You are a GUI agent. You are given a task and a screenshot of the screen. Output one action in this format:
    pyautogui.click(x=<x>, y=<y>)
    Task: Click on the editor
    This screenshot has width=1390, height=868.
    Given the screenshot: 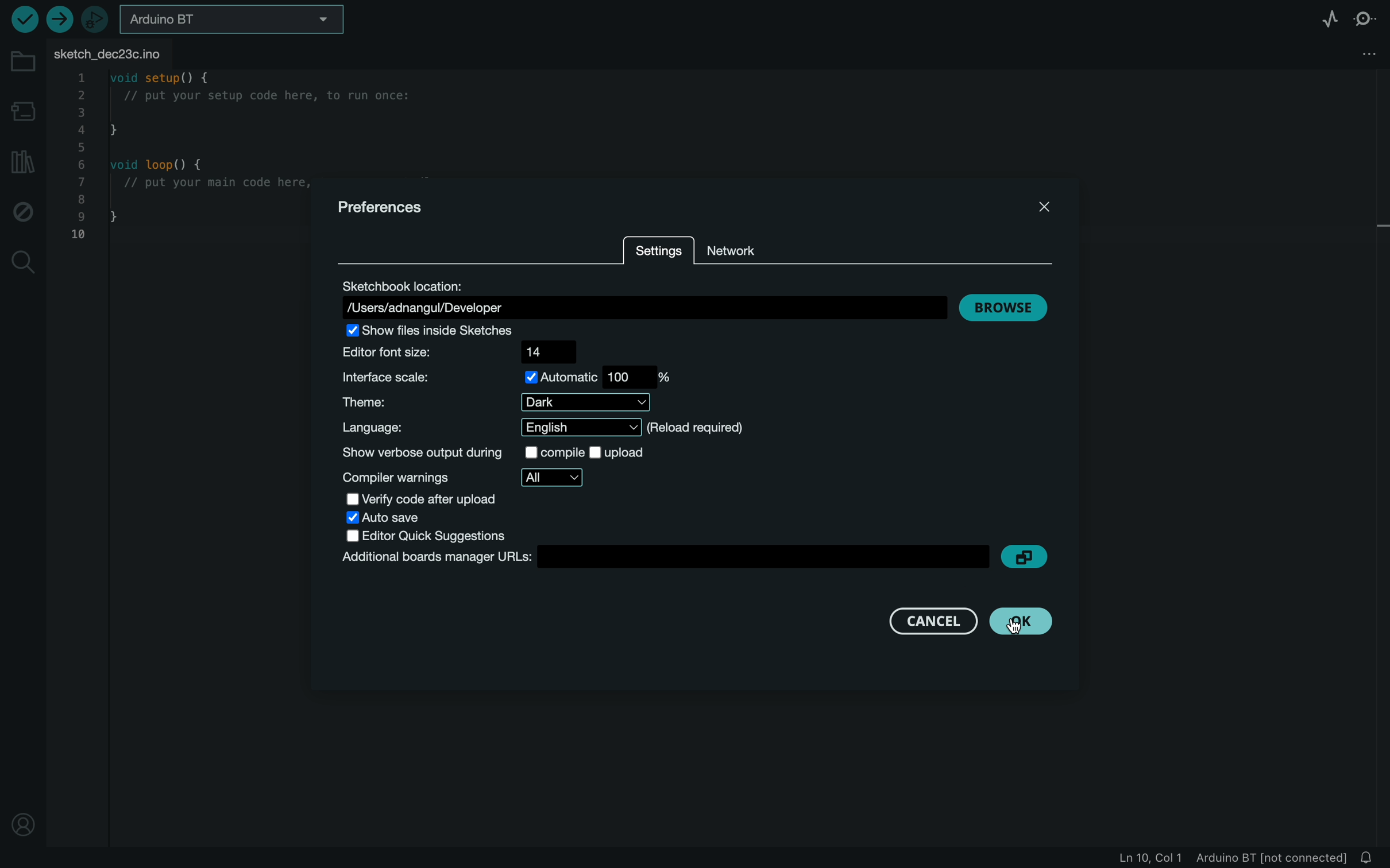 What is the action you would take?
    pyautogui.click(x=466, y=536)
    